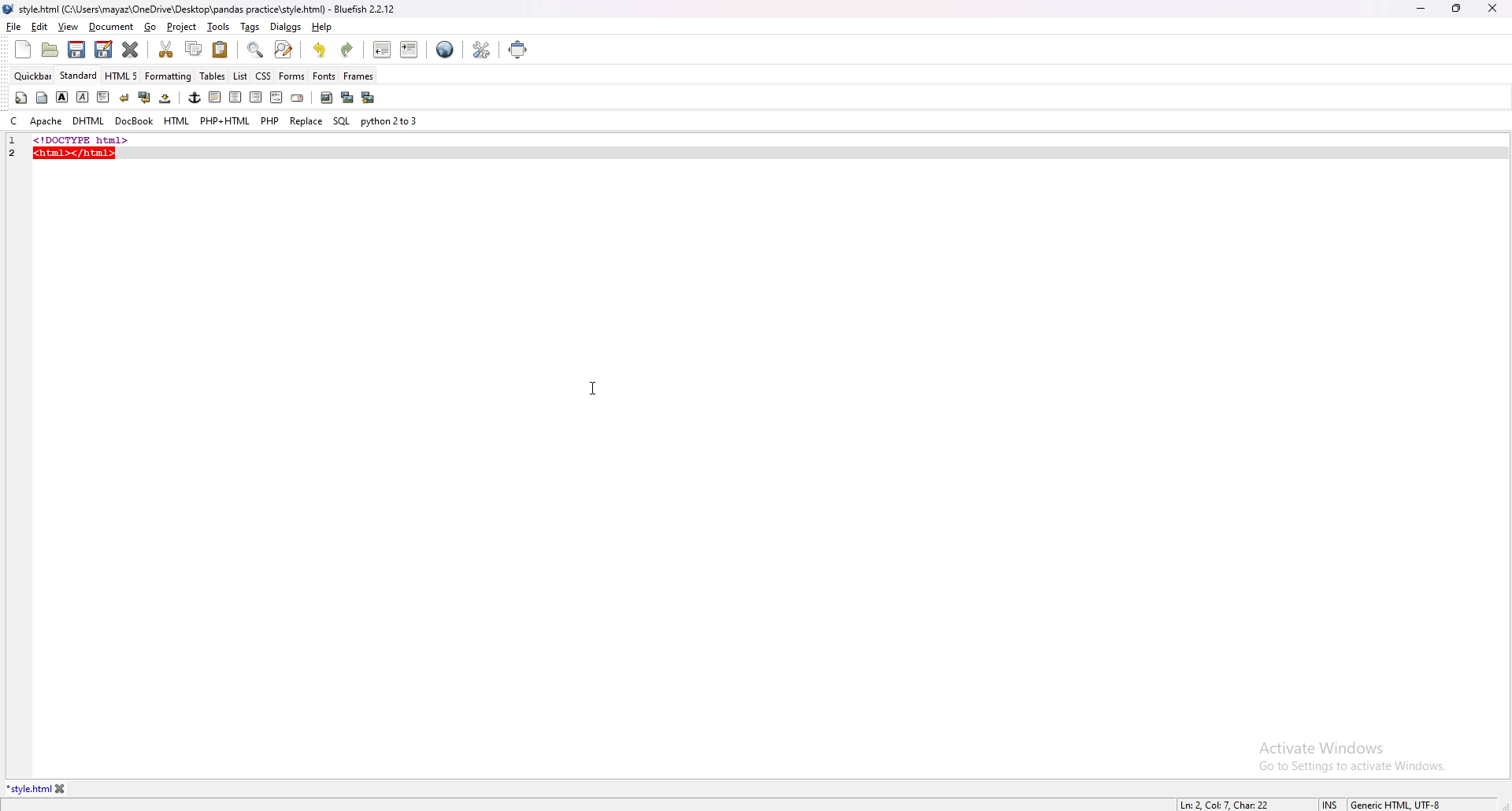 The height and width of the screenshot is (811, 1512). I want to click on fonts, so click(324, 76).